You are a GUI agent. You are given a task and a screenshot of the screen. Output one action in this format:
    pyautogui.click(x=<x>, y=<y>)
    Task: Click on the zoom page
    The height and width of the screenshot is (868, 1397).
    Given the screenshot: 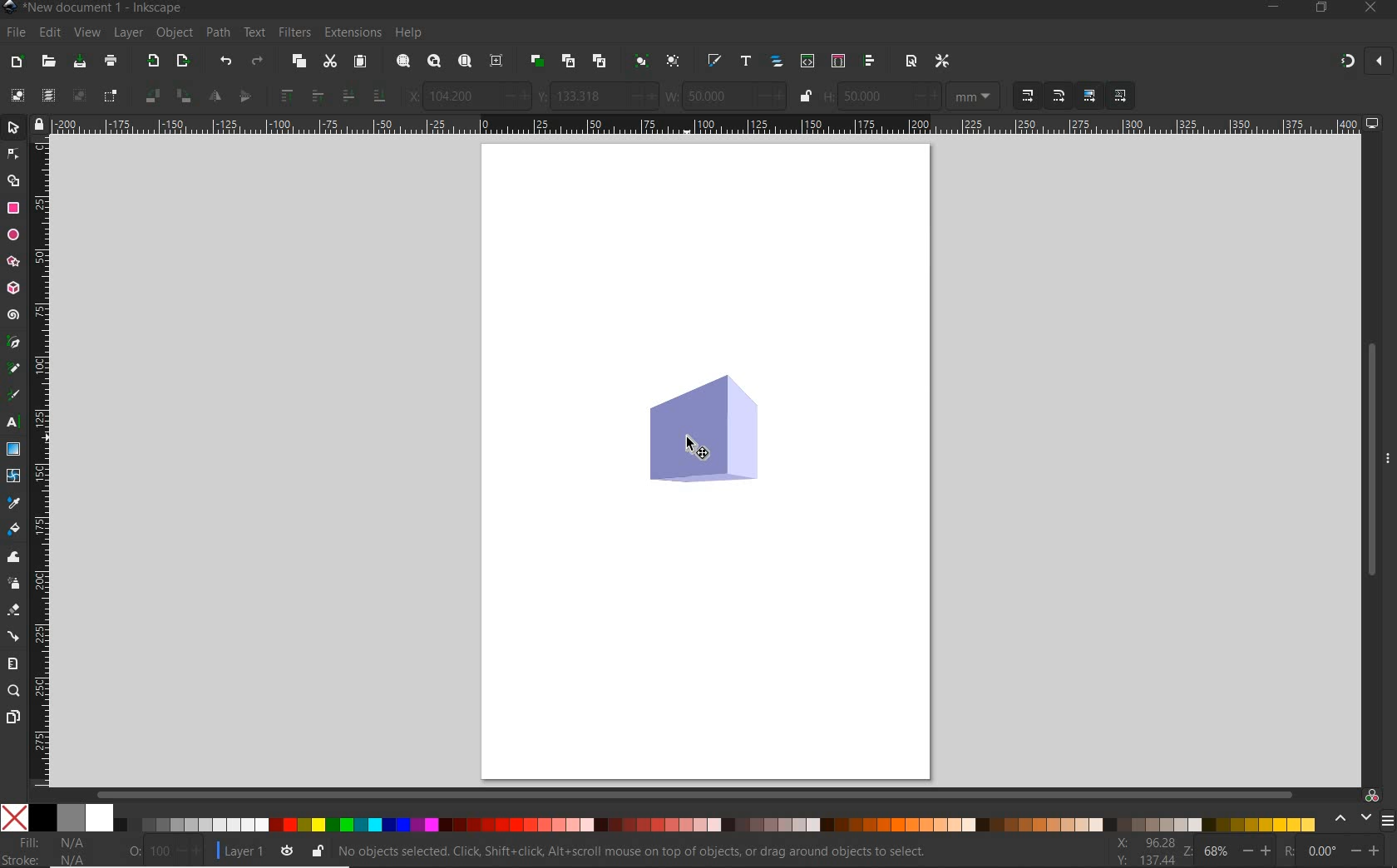 What is the action you would take?
    pyautogui.click(x=464, y=60)
    